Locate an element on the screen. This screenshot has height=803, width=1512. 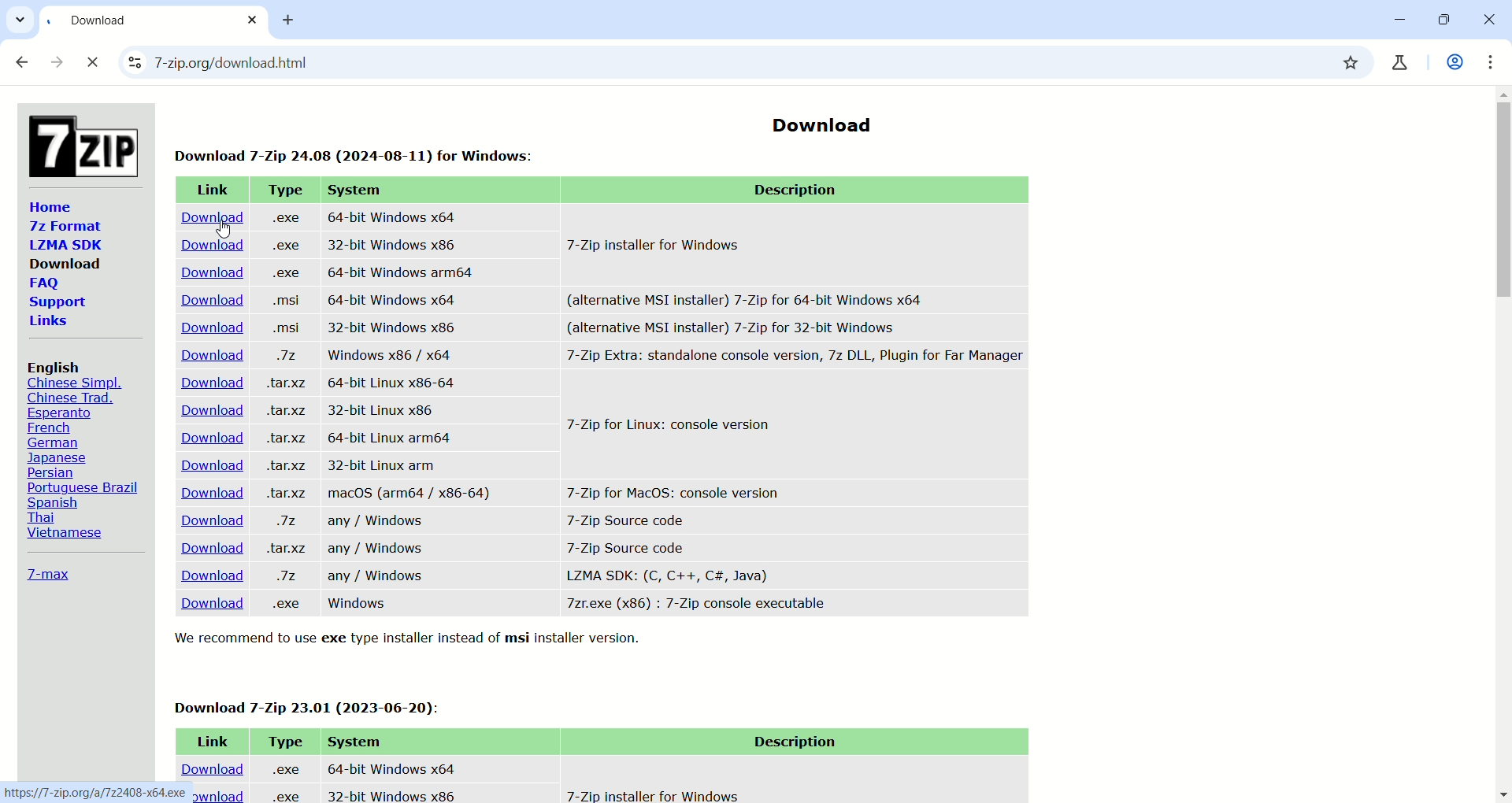
Download is located at coordinates (209, 244).